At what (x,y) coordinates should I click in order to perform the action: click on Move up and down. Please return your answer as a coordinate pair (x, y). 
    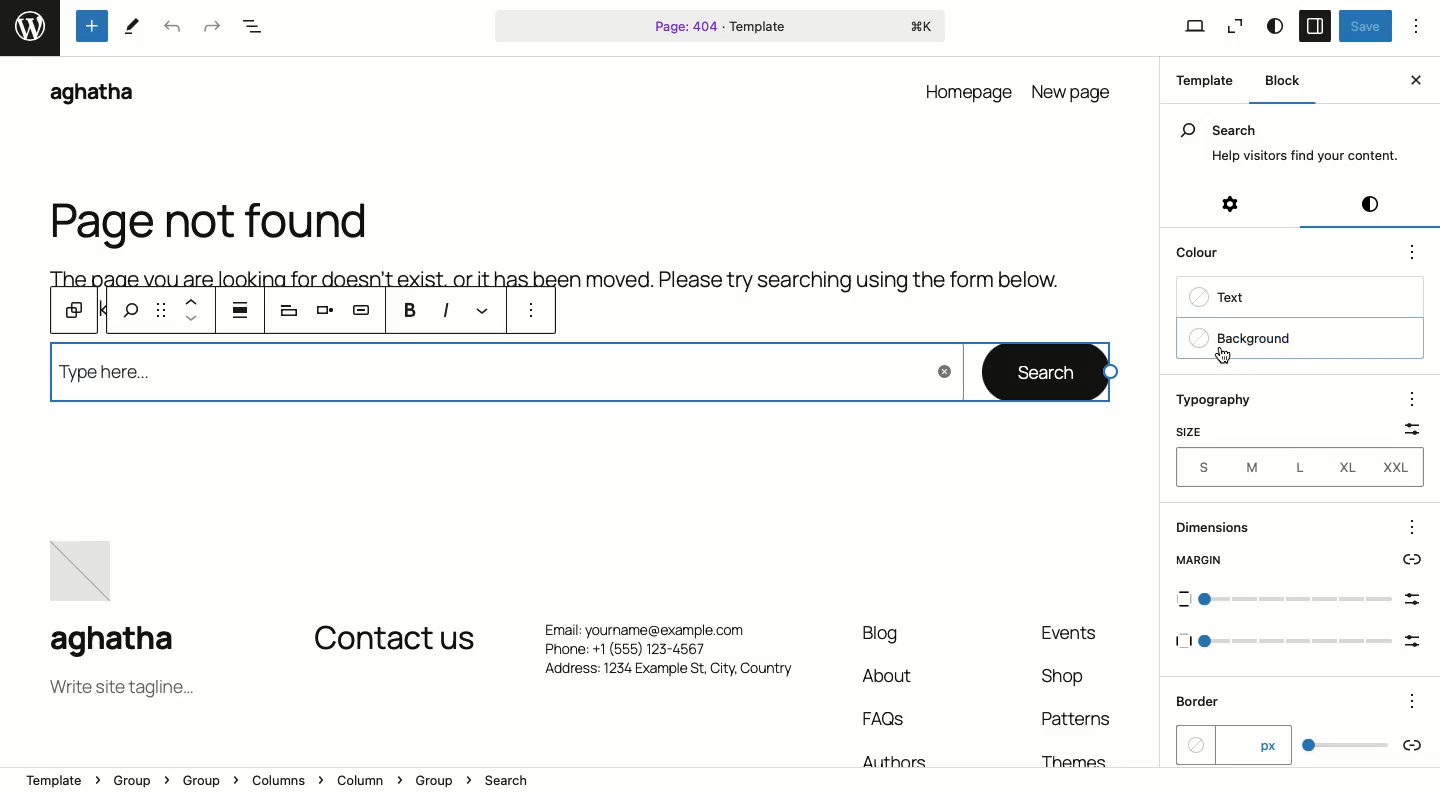
    Looking at the image, I should click on (190, 313).